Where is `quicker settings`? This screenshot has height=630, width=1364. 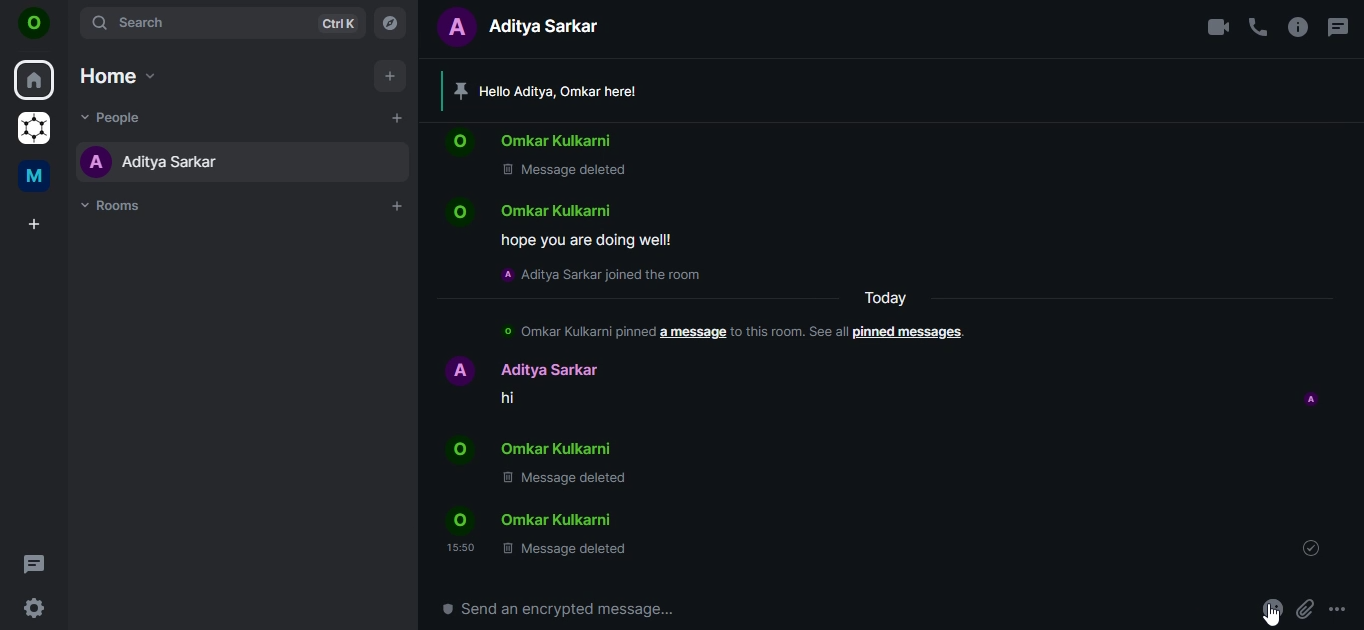
quicker settings is located at coordinates (35, 608).